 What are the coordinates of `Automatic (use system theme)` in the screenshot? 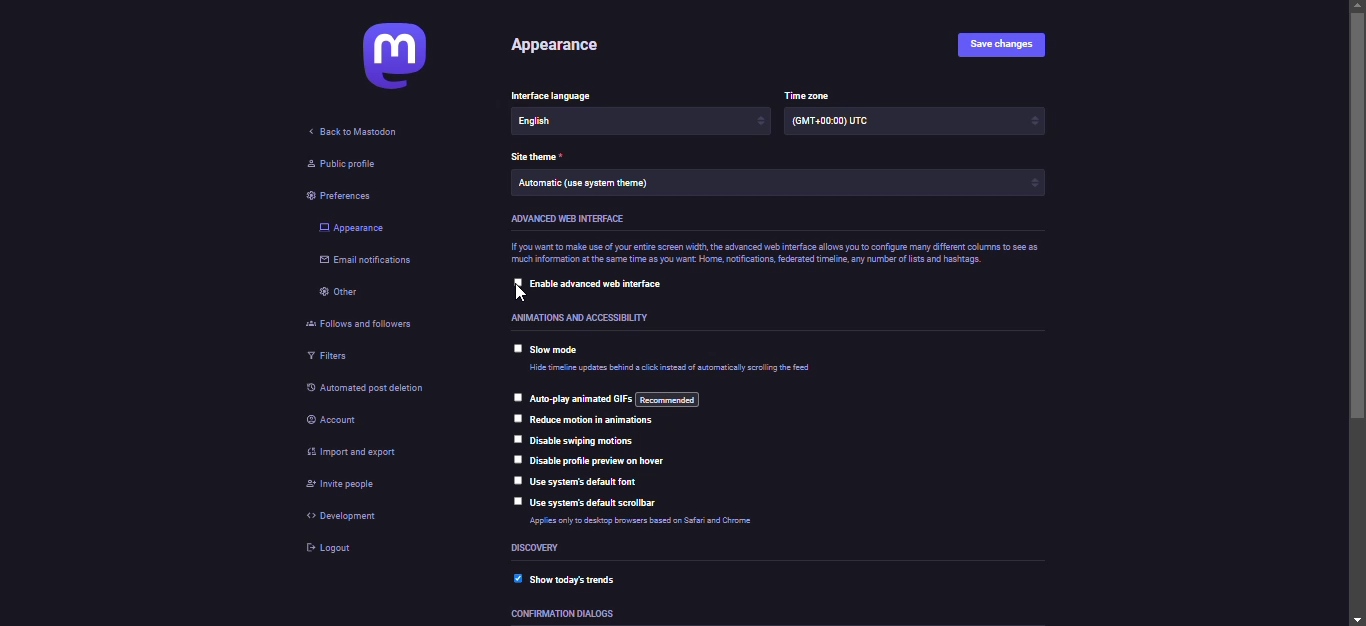 It's located at (765, 183).